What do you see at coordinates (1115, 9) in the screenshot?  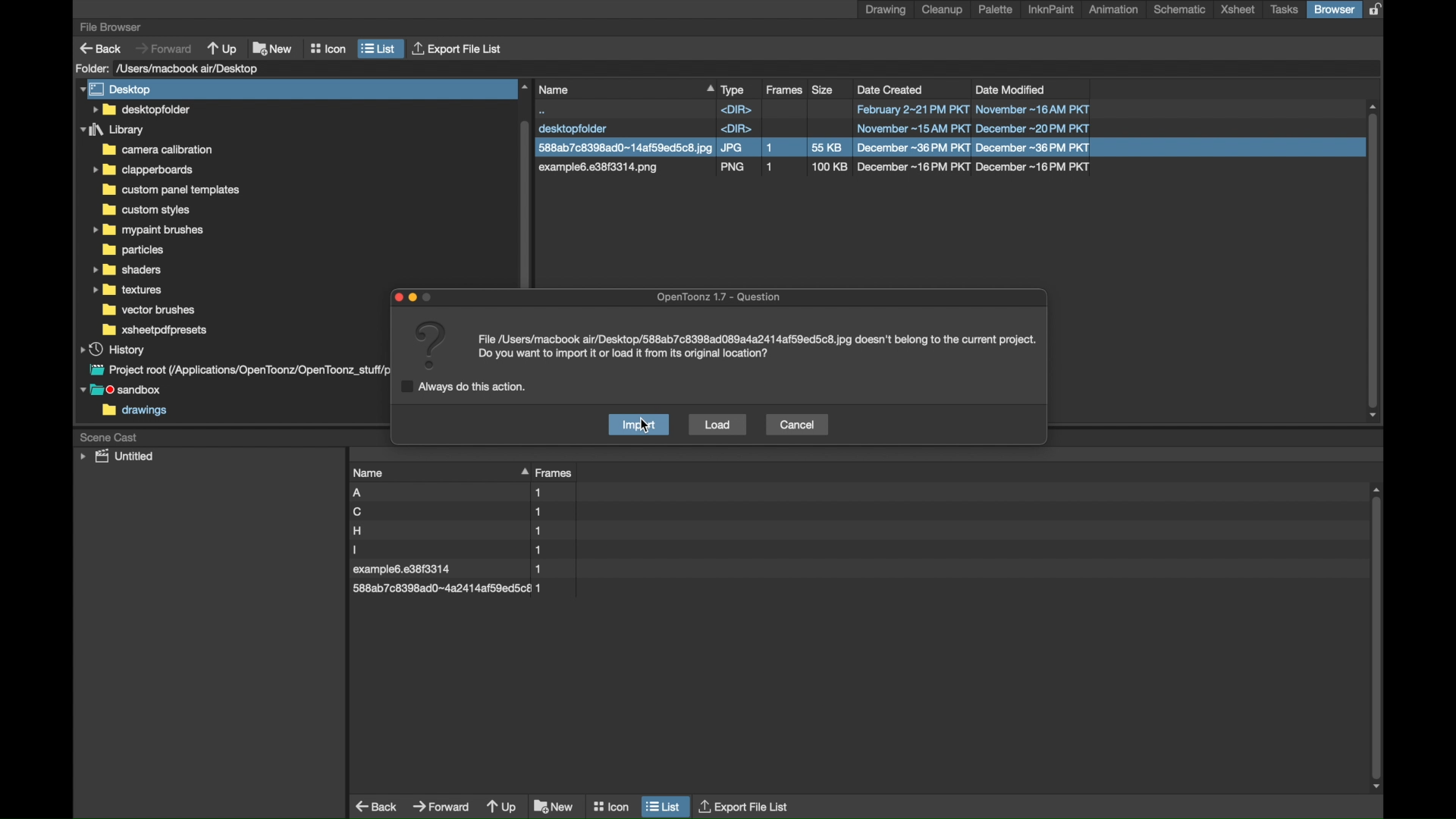 I see `animation` at bounding box center [1115, 9].